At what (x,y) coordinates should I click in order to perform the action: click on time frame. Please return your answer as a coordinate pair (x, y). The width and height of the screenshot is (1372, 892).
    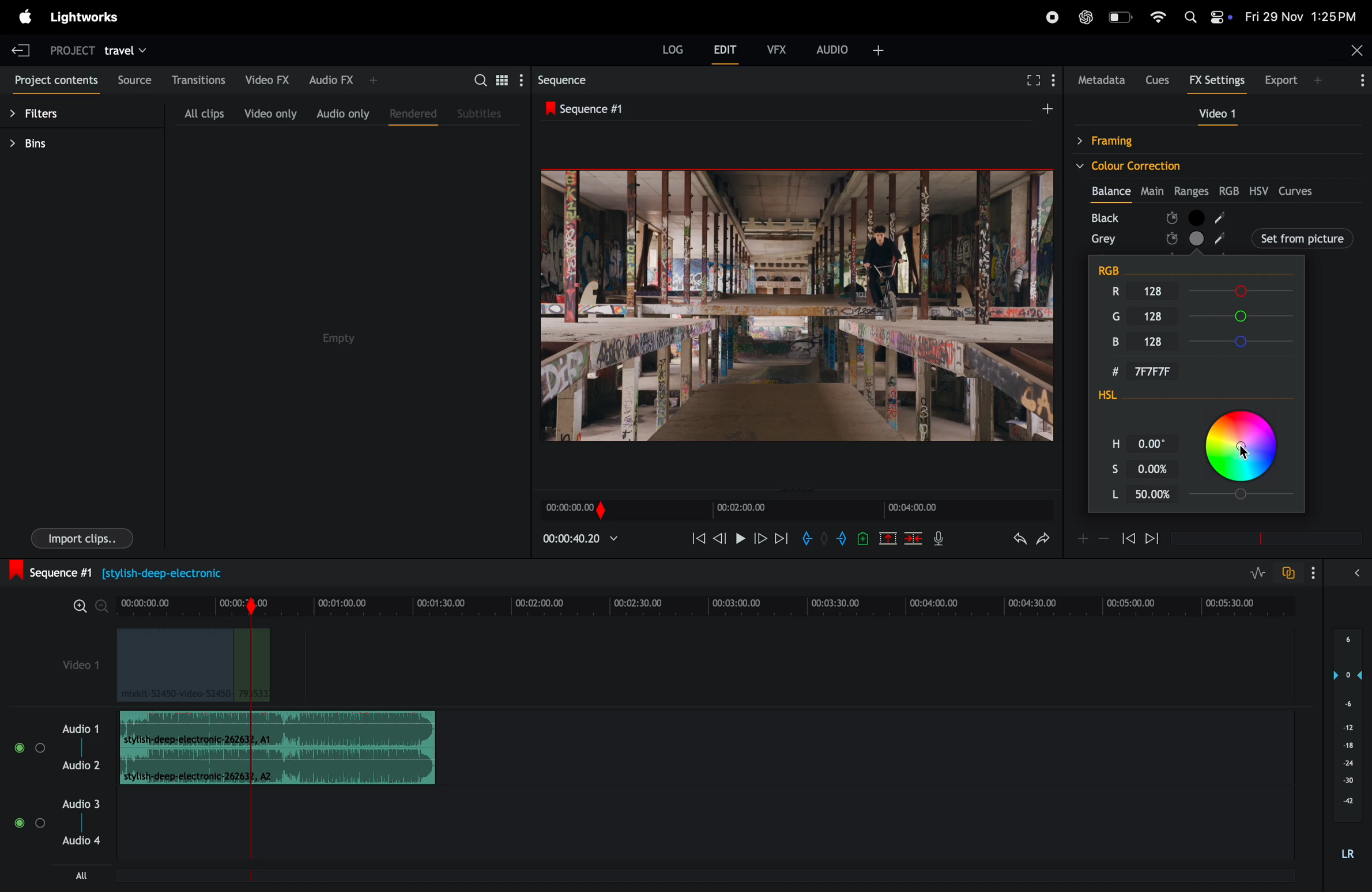
    Looking at the image, I should click on (1262, 539).